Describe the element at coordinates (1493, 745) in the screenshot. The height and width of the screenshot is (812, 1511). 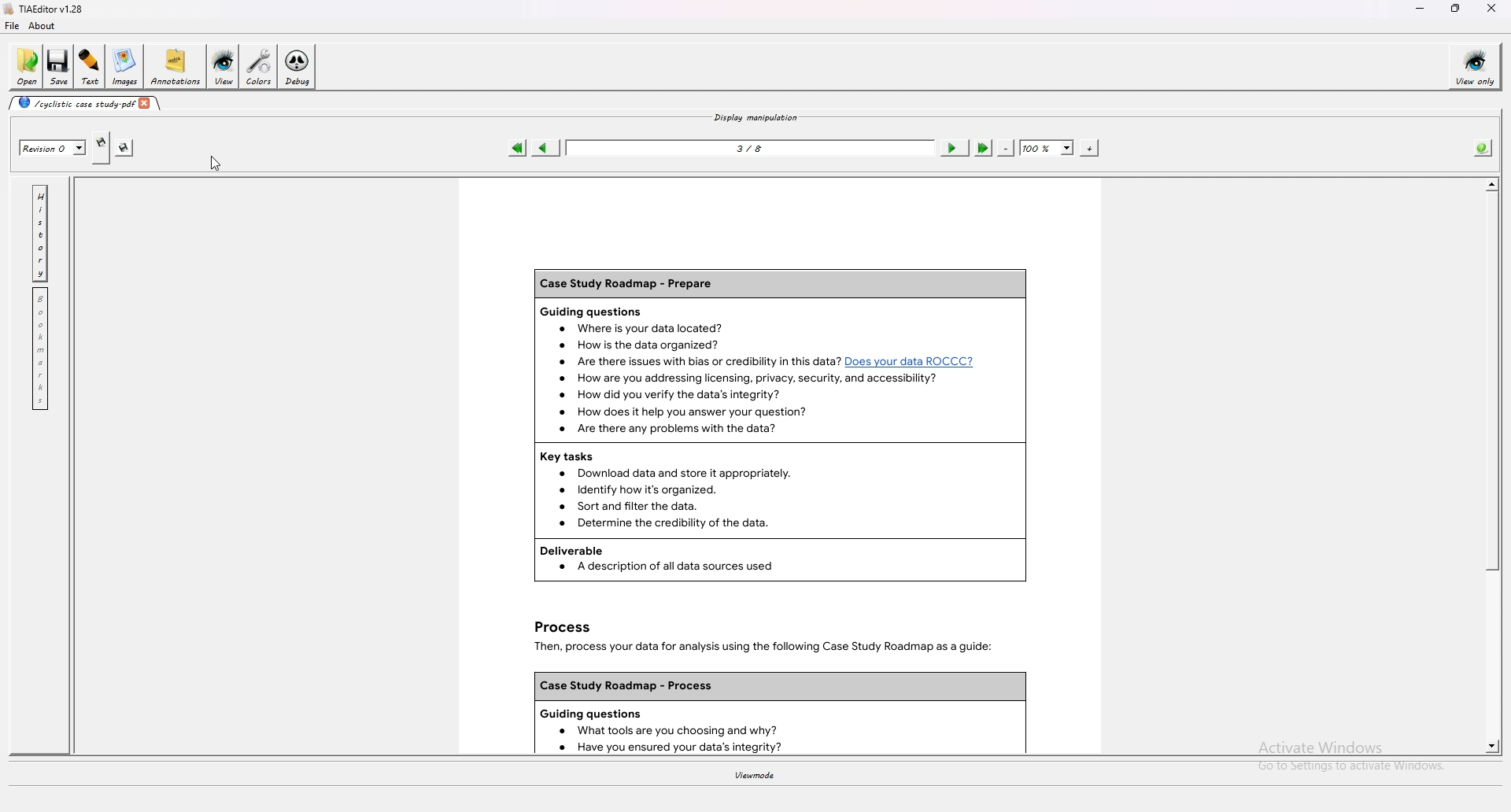
I see `scroll down` at that location.